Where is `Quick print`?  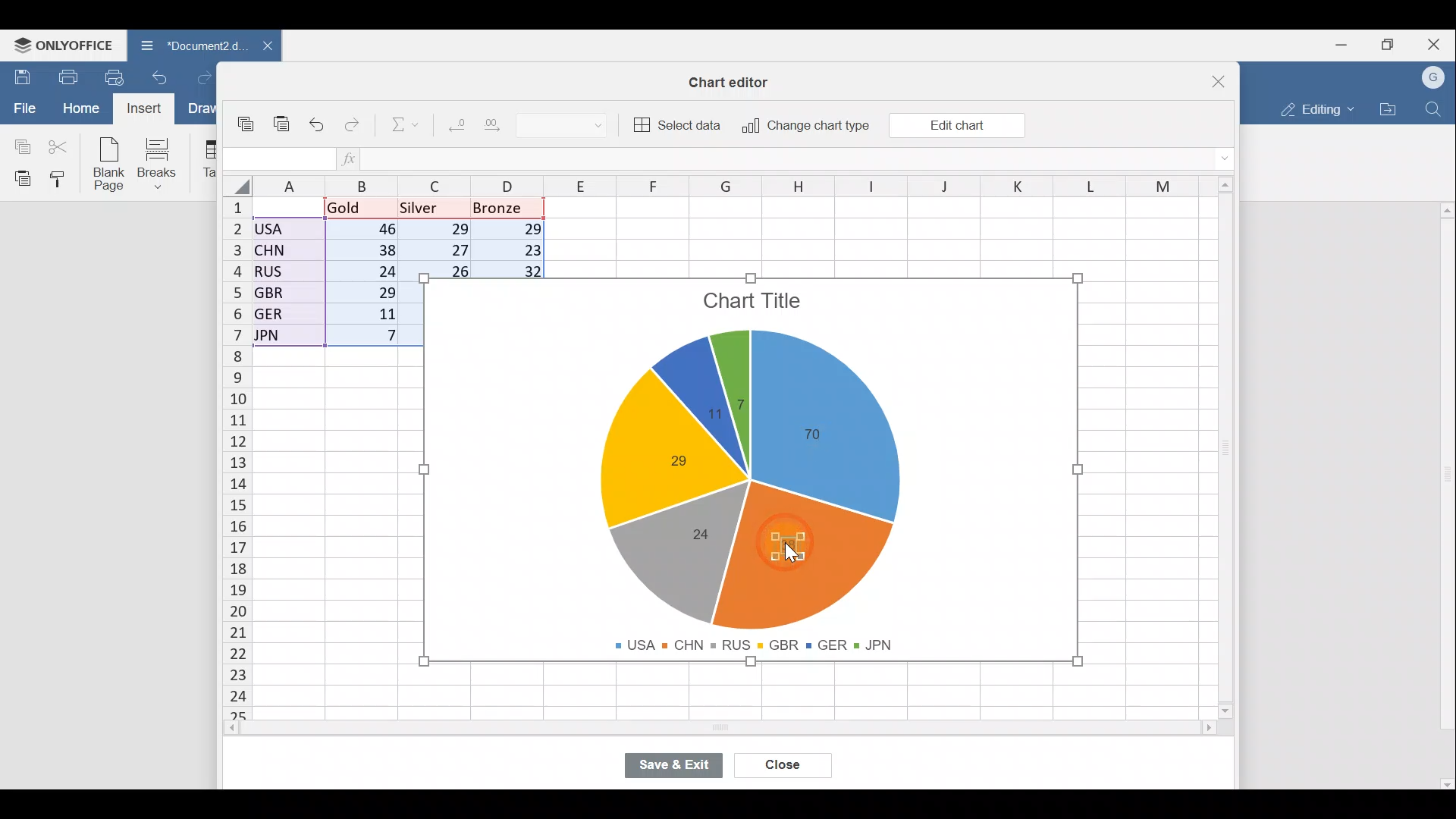 Quick print is located at coordinates (119, 74).